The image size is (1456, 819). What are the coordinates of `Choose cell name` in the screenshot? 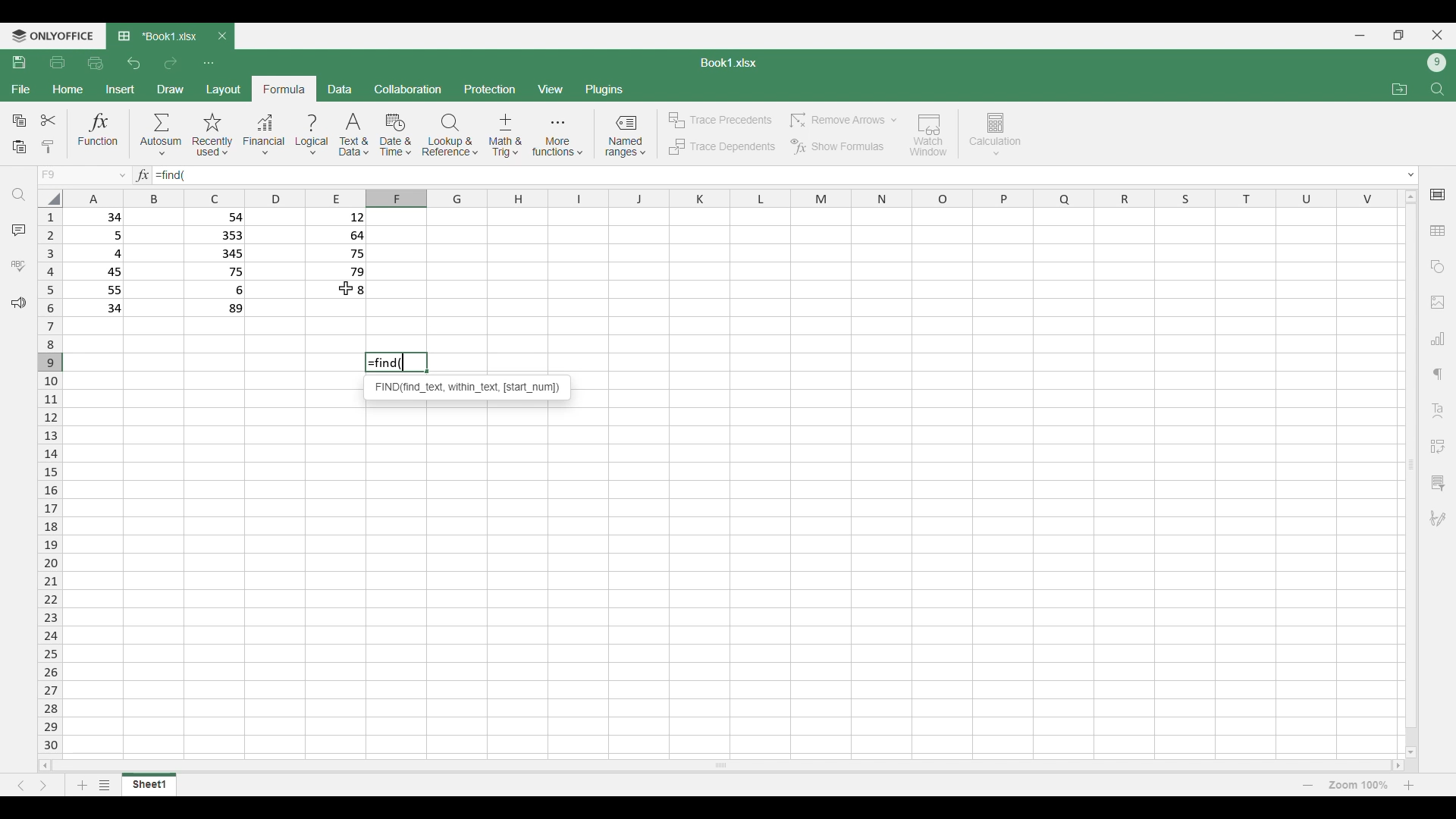 It's located at (82, 175).